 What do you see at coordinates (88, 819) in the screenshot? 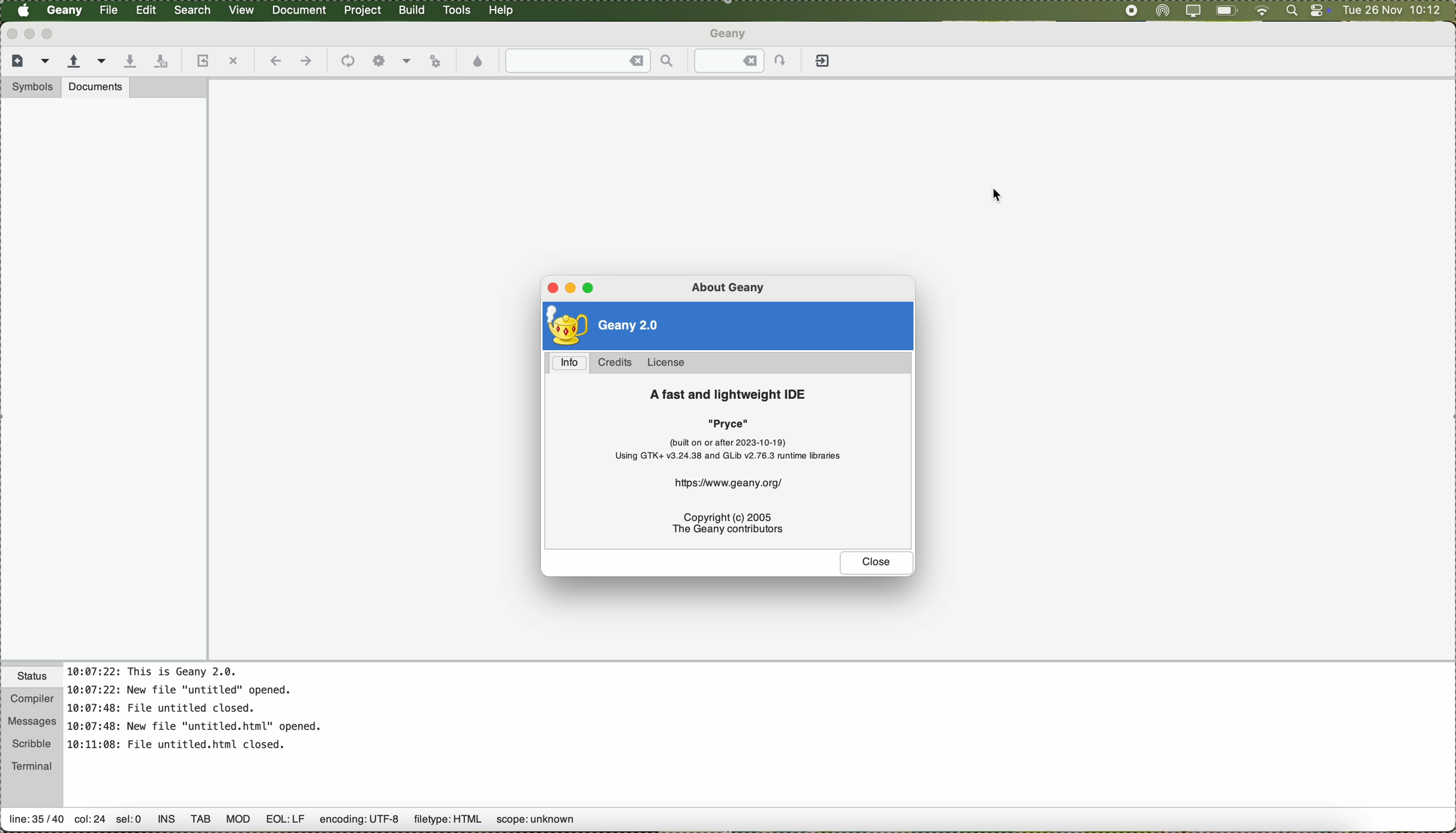
I see `col:24` at bounding box center [88, 819].